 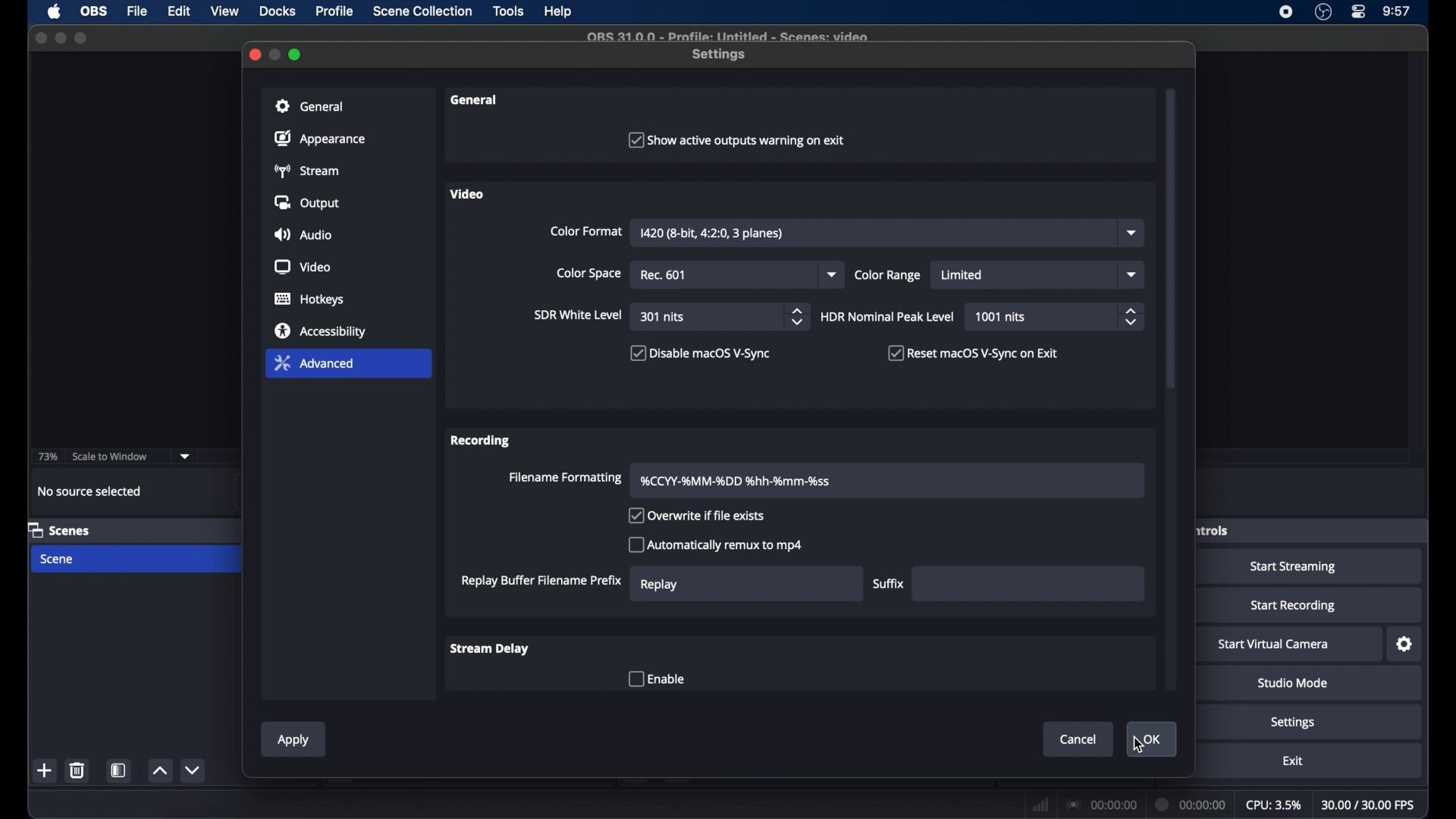 What do you see at coordinates (138, 12) in the screenshot?
I see `file` at bounding box center [138, 12].